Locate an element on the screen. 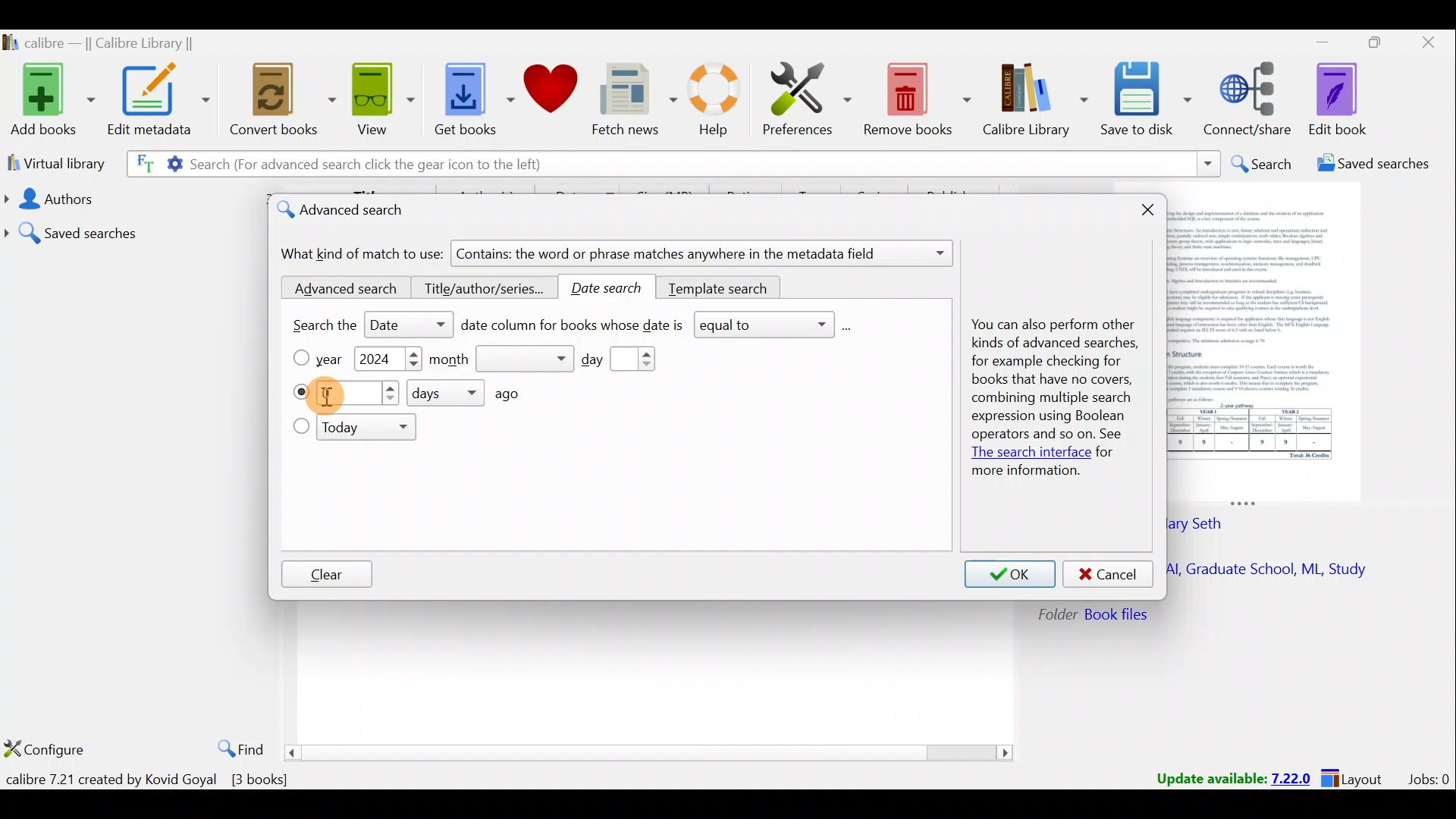 This screenshot has width=1456, height=819. Saved searches is located at coordinates (1369, 165).